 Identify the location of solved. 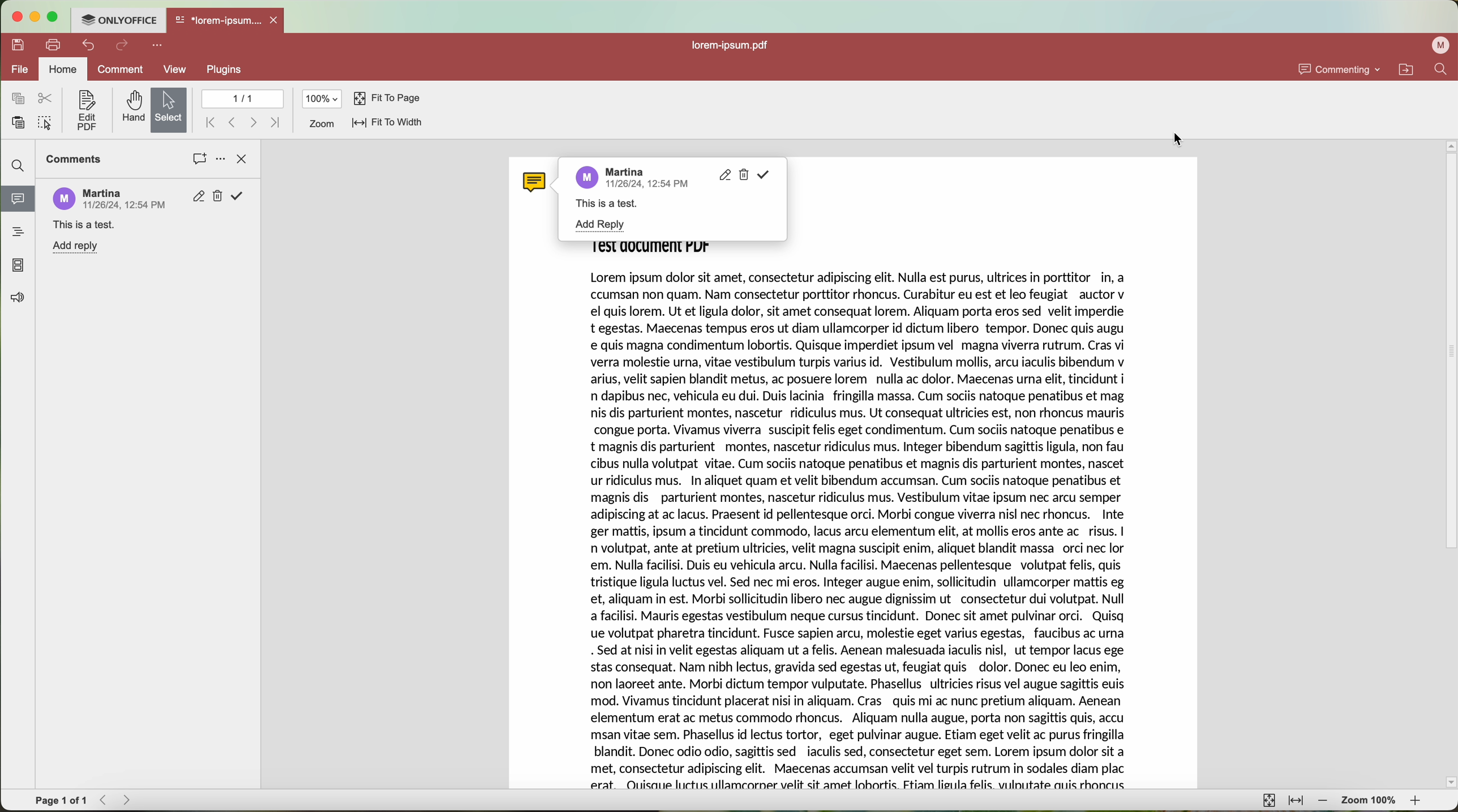
(239, 197).